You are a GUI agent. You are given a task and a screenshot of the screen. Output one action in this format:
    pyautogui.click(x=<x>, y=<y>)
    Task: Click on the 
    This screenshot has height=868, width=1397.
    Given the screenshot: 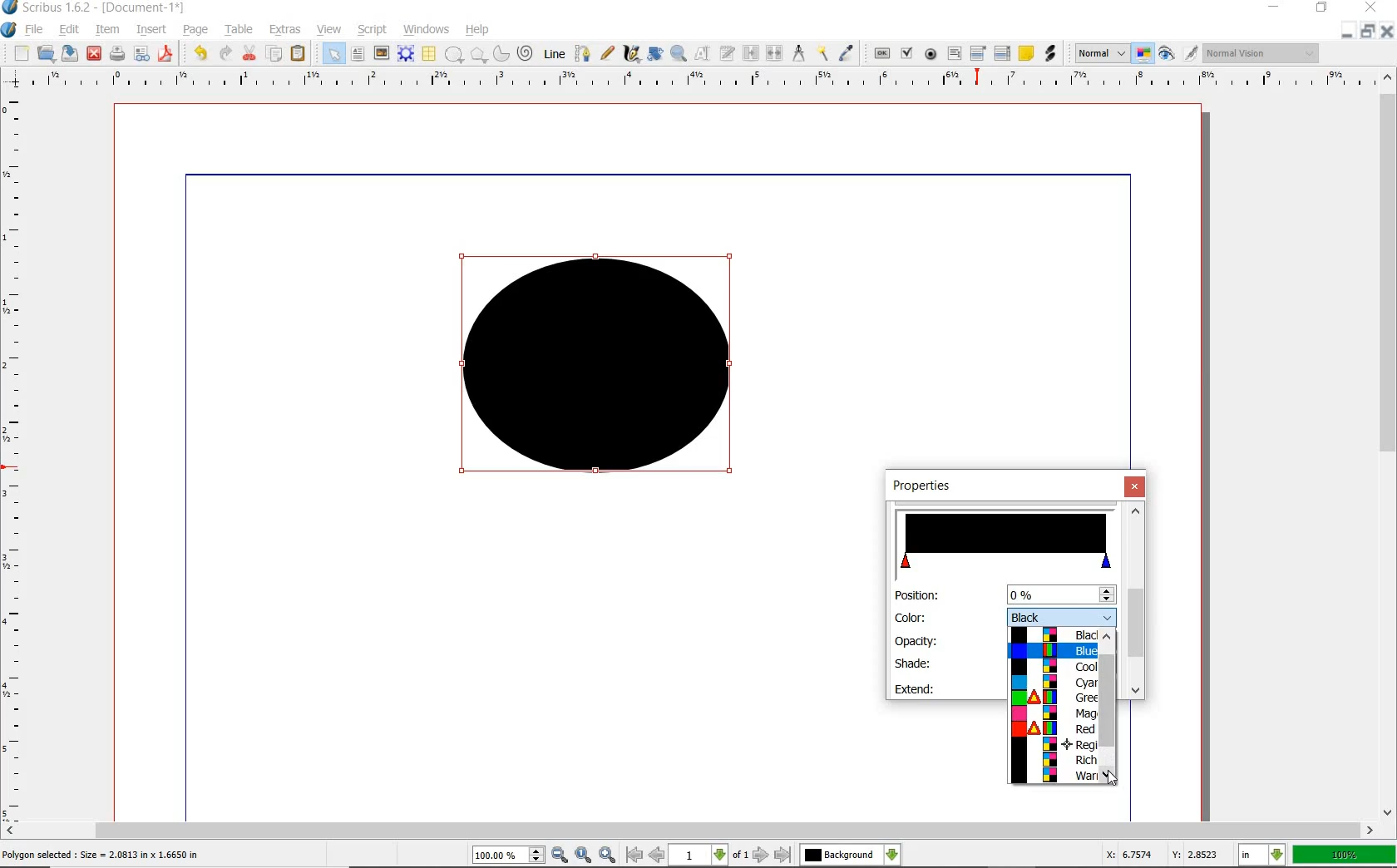 What is the action you would take?
    pyautogui.click(x=840, y=855)
    